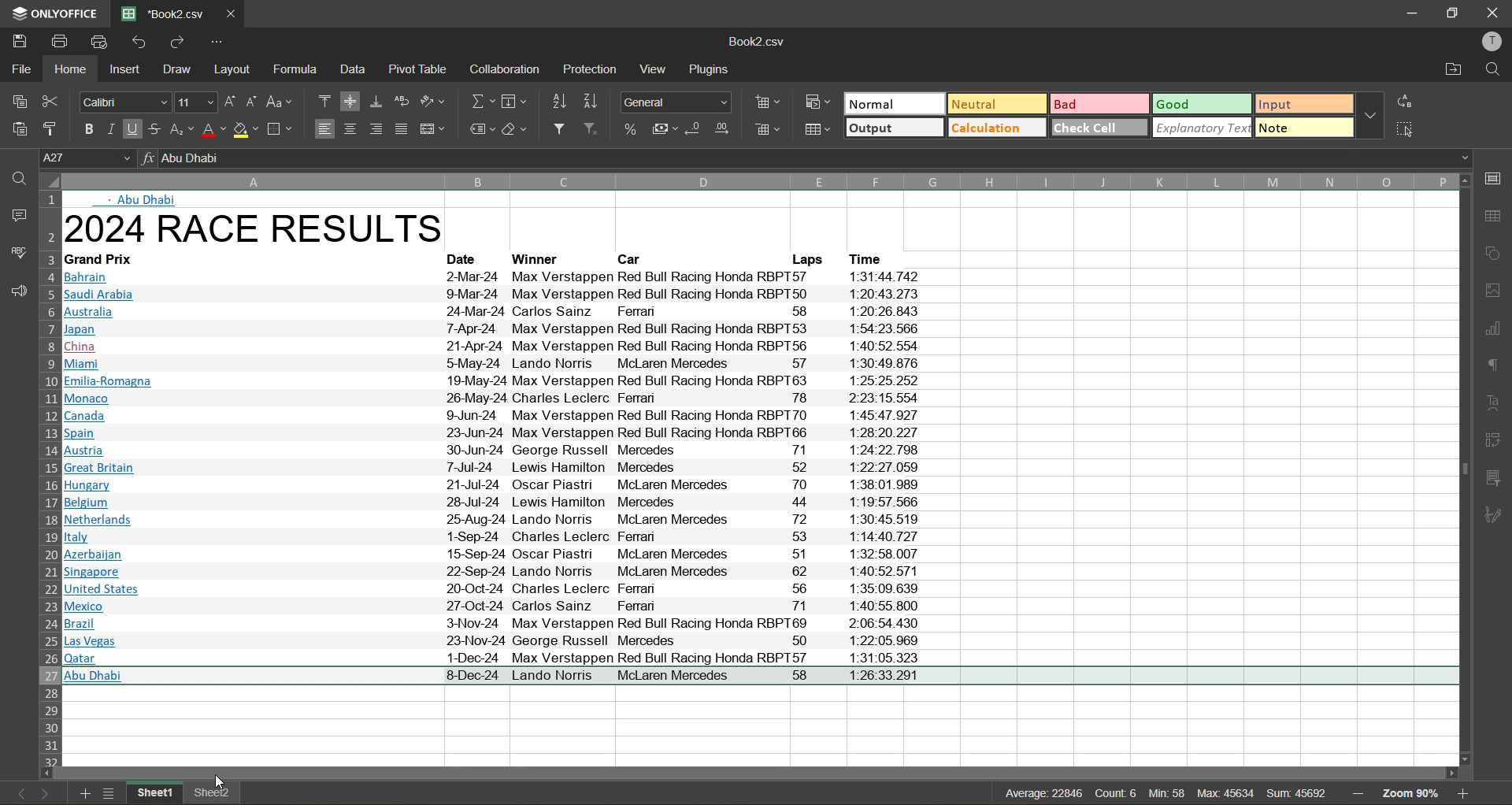  What do you see at coordinates (498, 537) in the screenshot?
I see `text info` at bounding box center [498, 537].